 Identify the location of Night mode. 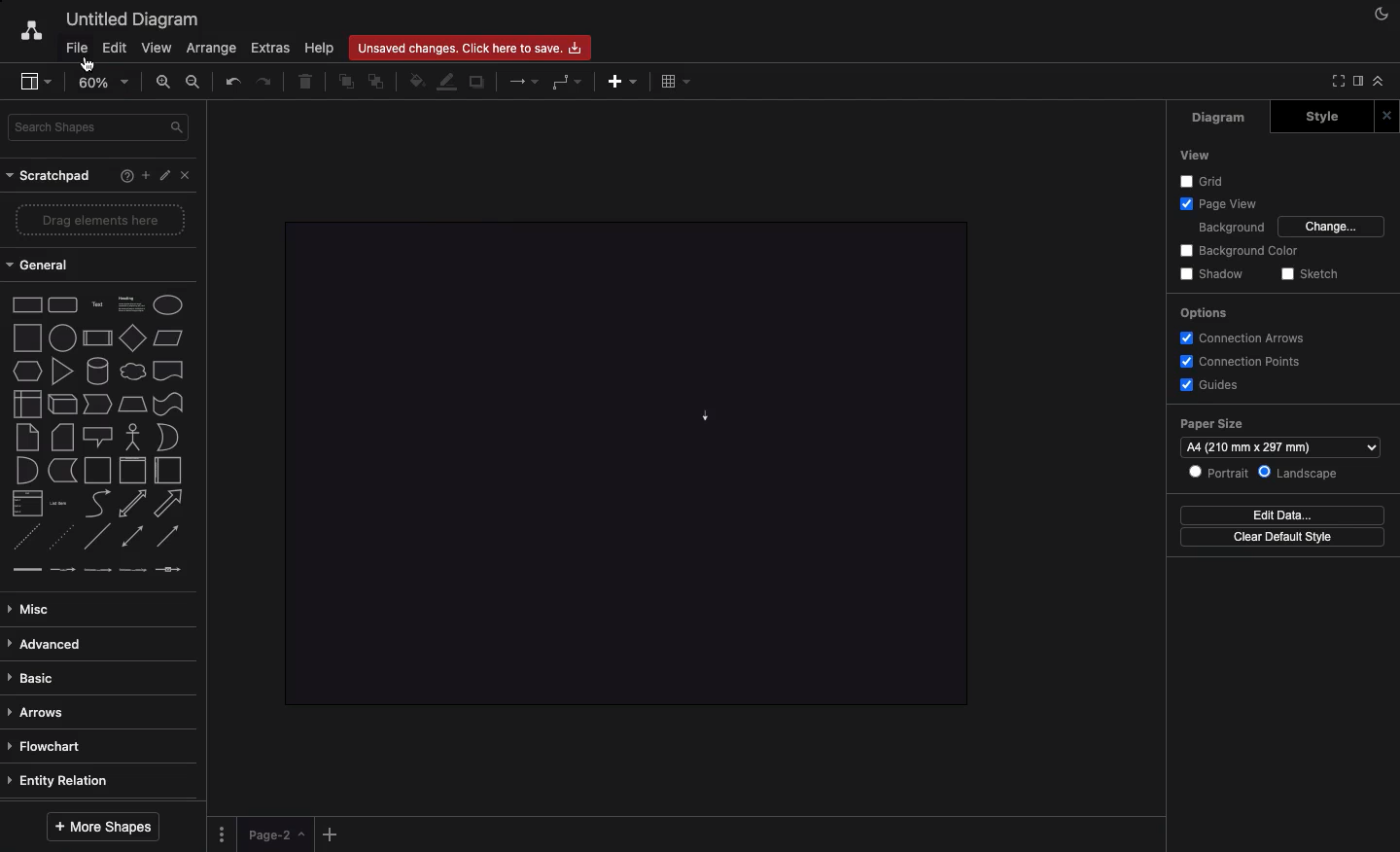
(1382, 15).